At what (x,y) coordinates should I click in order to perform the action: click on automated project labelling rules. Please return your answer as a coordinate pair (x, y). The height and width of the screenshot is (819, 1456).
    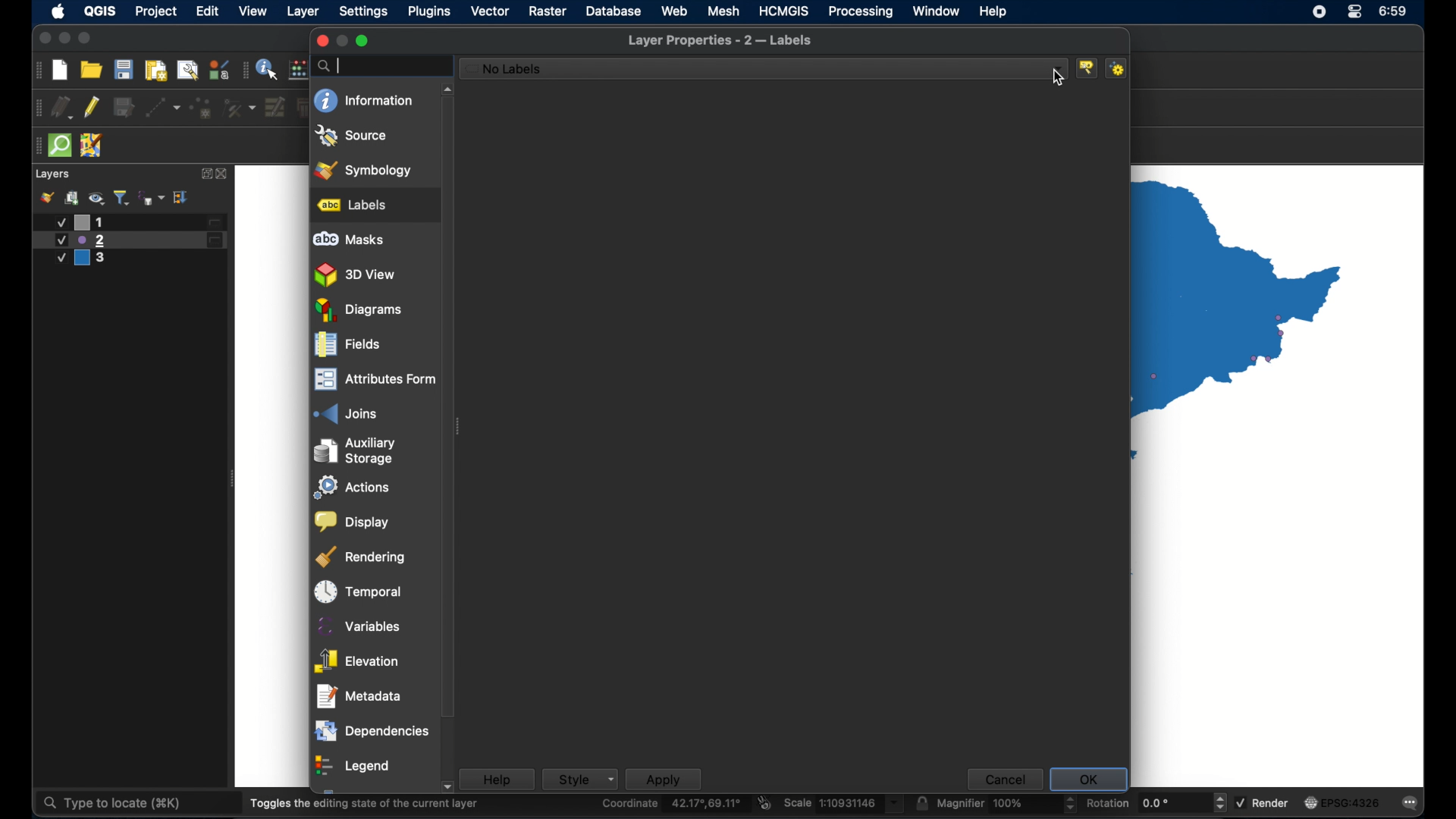
    Looking at the image, I should click on (1119, 68).